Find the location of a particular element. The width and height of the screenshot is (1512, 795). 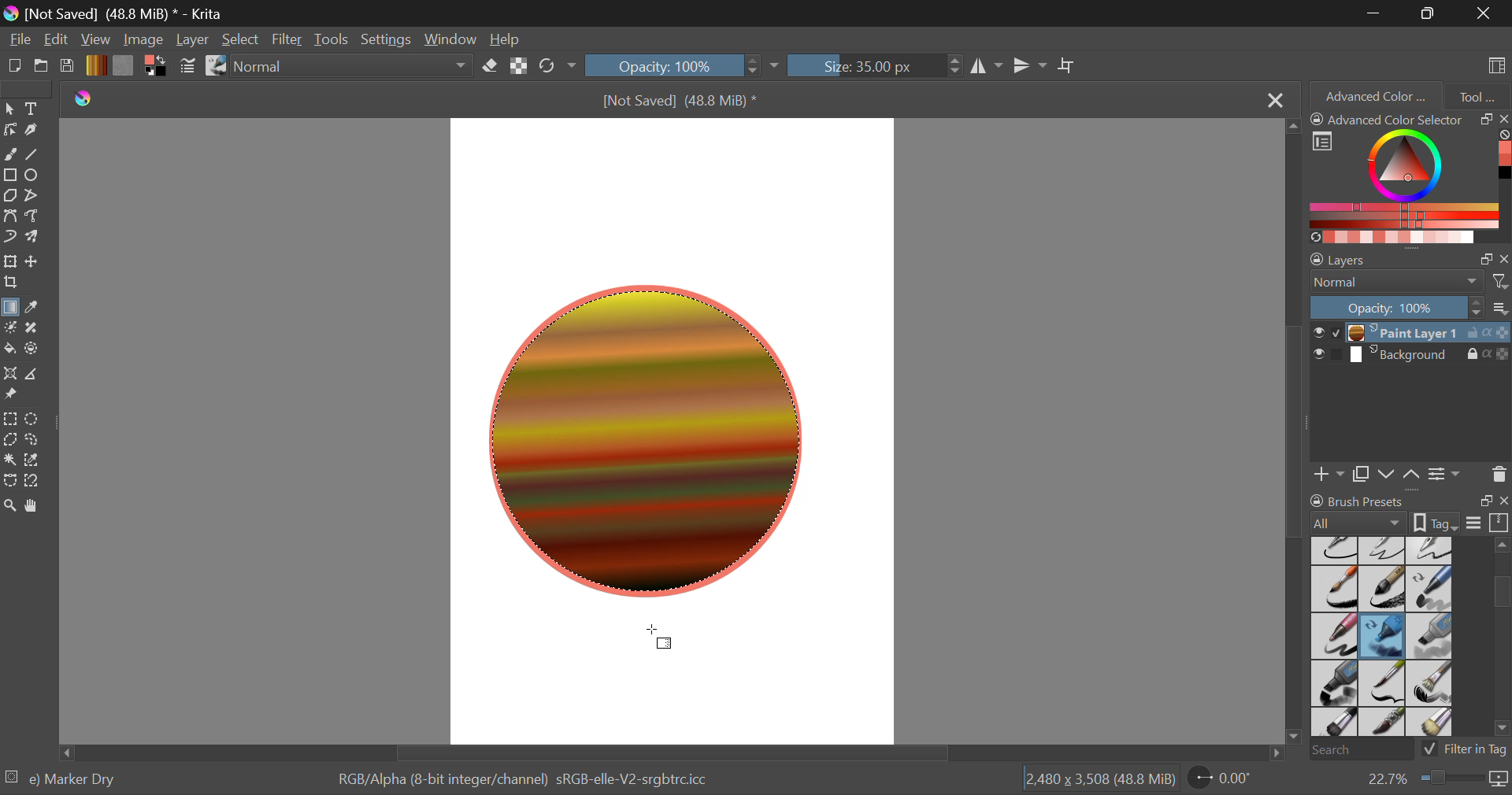

Restore Down is located at coordinates (1377, 13).